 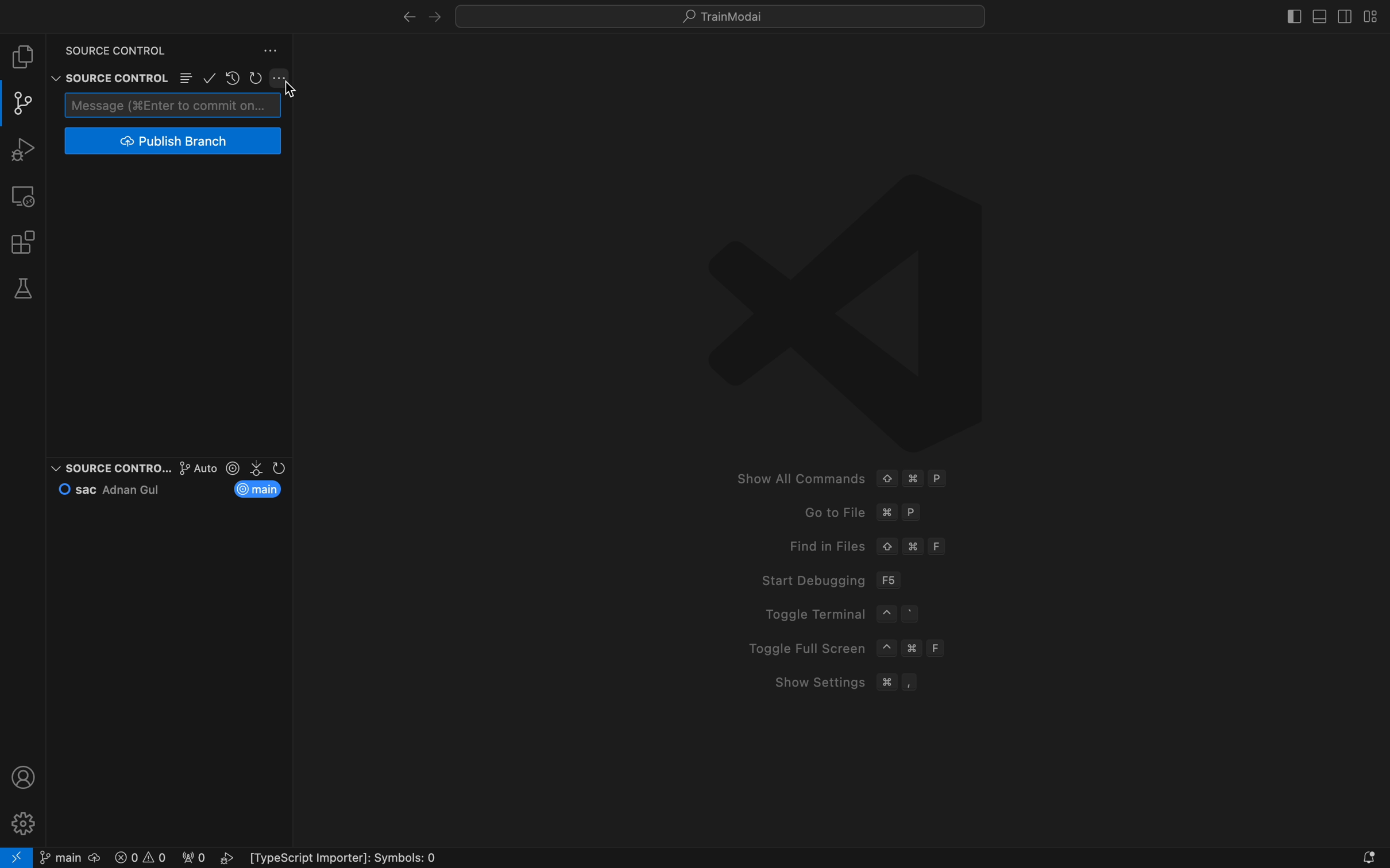 What do you see at coordinates (107, 47) in the screenshot?
I see `source` at bounding box center [107, 47].